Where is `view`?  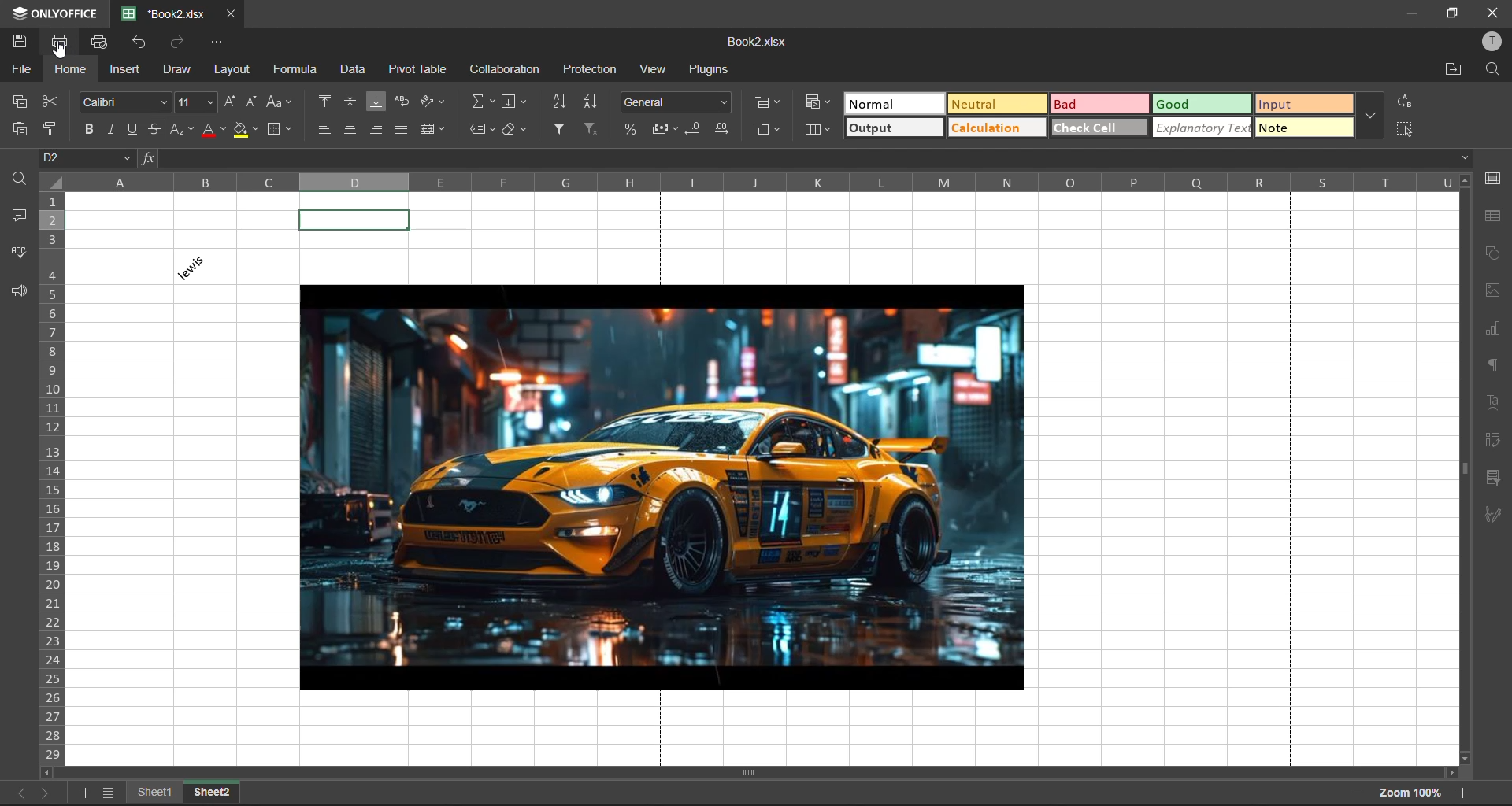
view is located at coordinates (656, 69).